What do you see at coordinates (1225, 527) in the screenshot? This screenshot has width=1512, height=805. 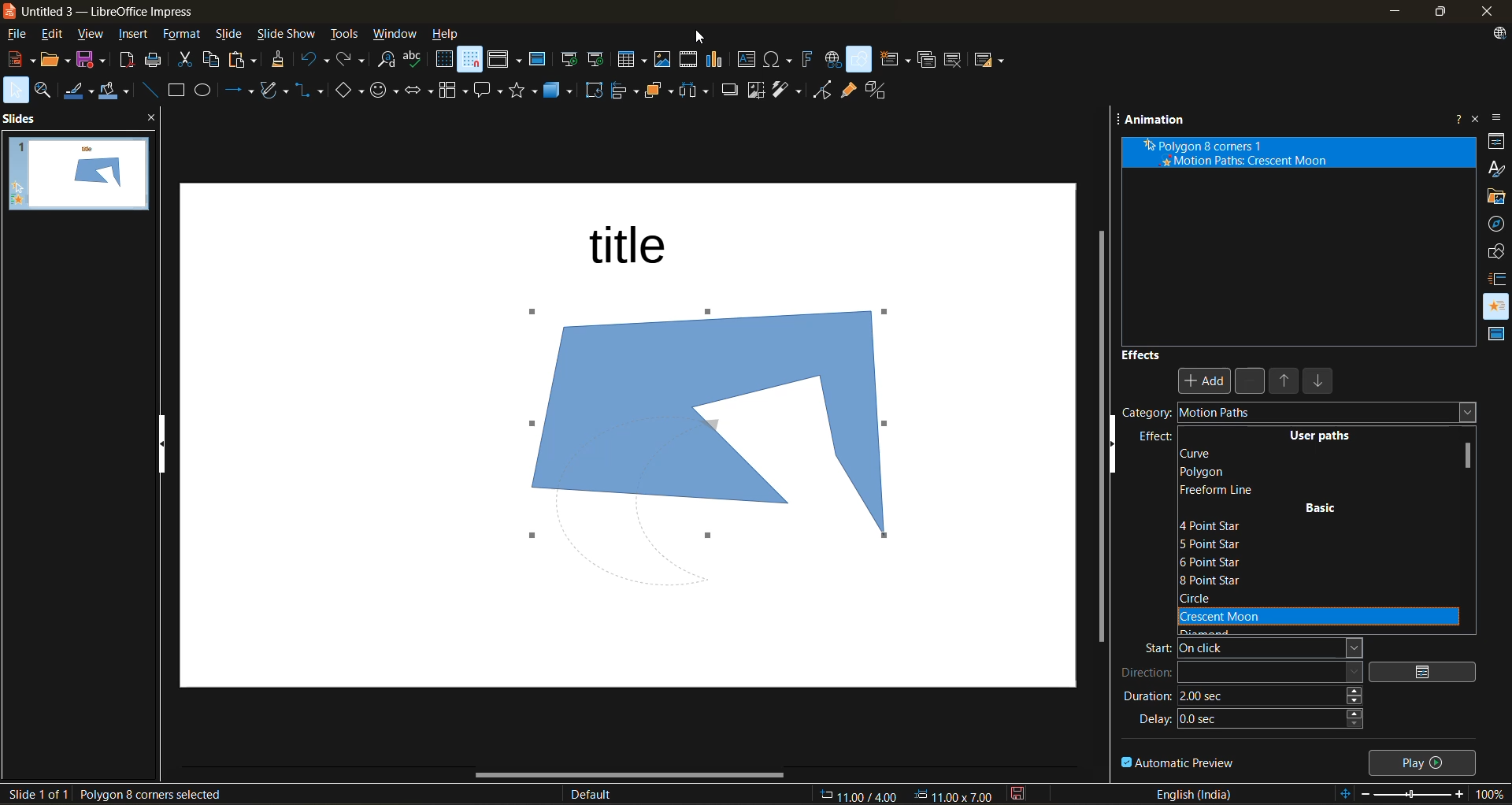 I see `4 point star` at bounding box center [1225, 527].